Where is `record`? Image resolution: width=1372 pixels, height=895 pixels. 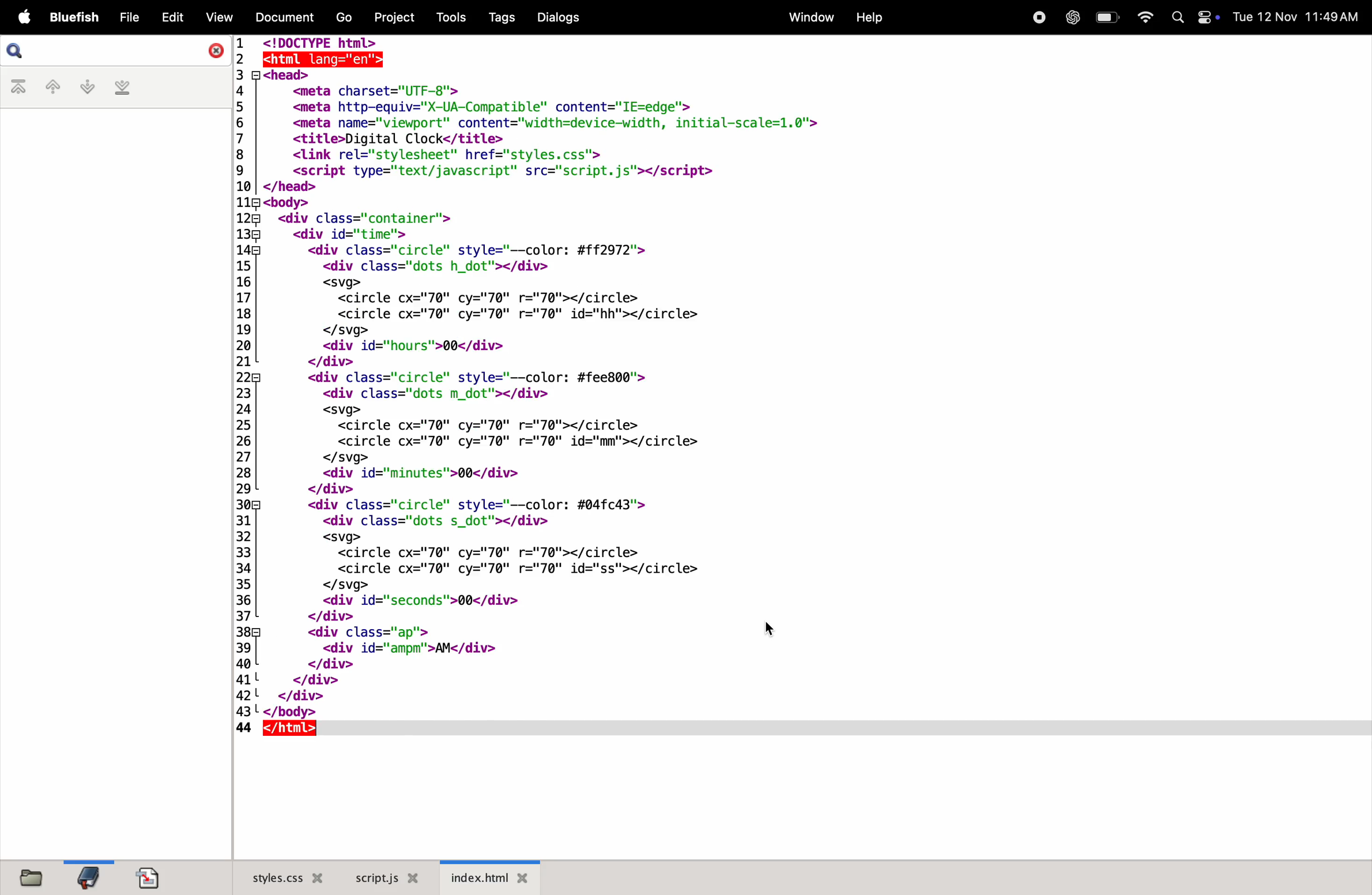
record is located at coordinates (1035, 17).